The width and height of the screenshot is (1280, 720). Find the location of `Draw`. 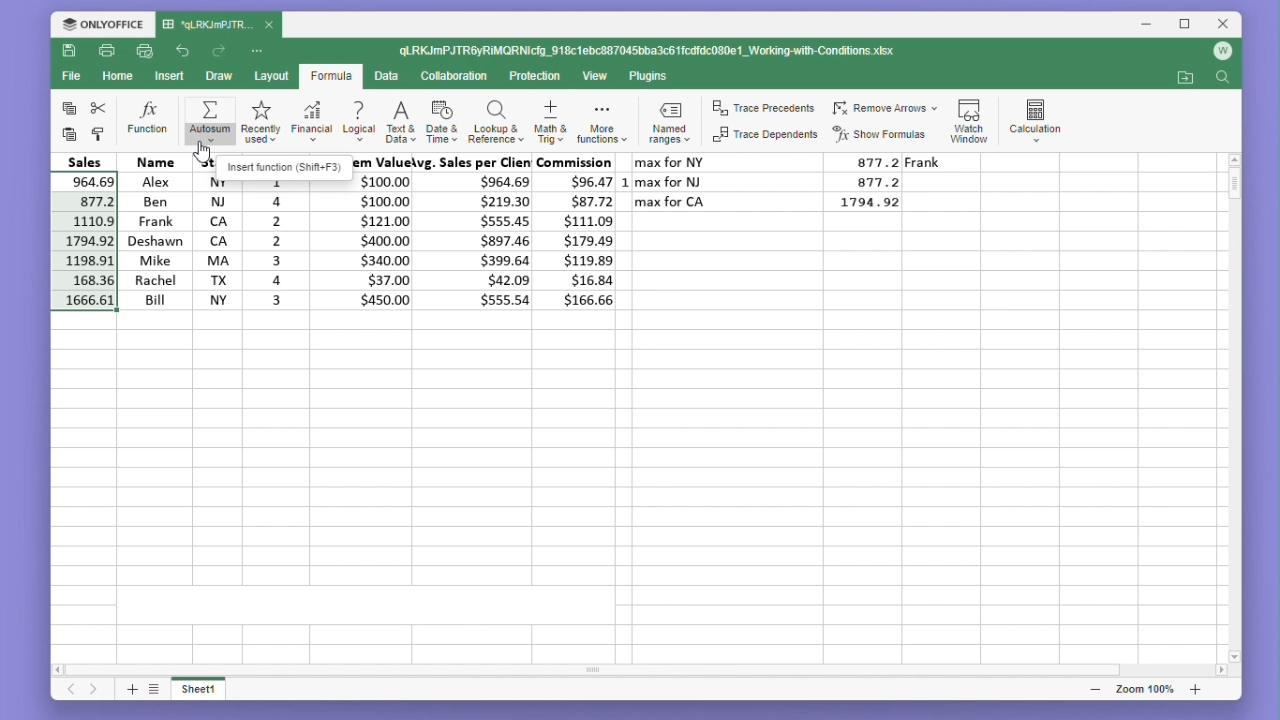

Draw is located at coordinates (218, 76).